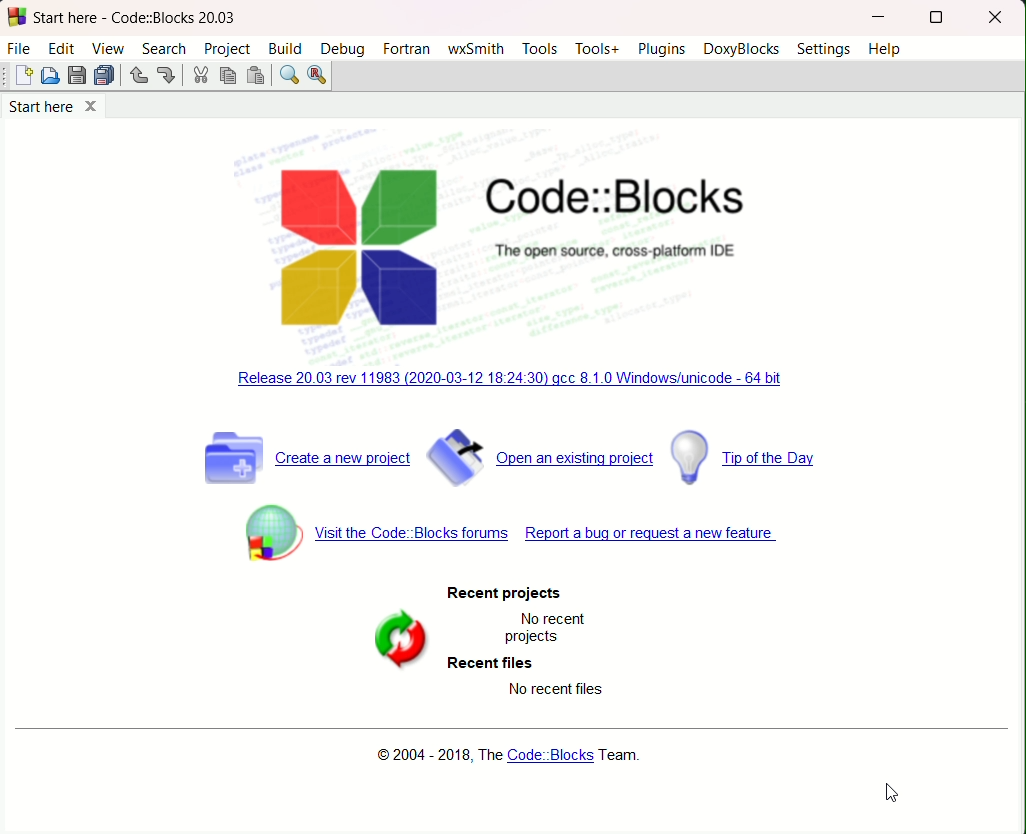 Image resolution: width=1026 pixels, height=834 pixels. What do you see at coordinates (358, 248) in the screenshot?
I see `logo` at bounding box center [358, 248].